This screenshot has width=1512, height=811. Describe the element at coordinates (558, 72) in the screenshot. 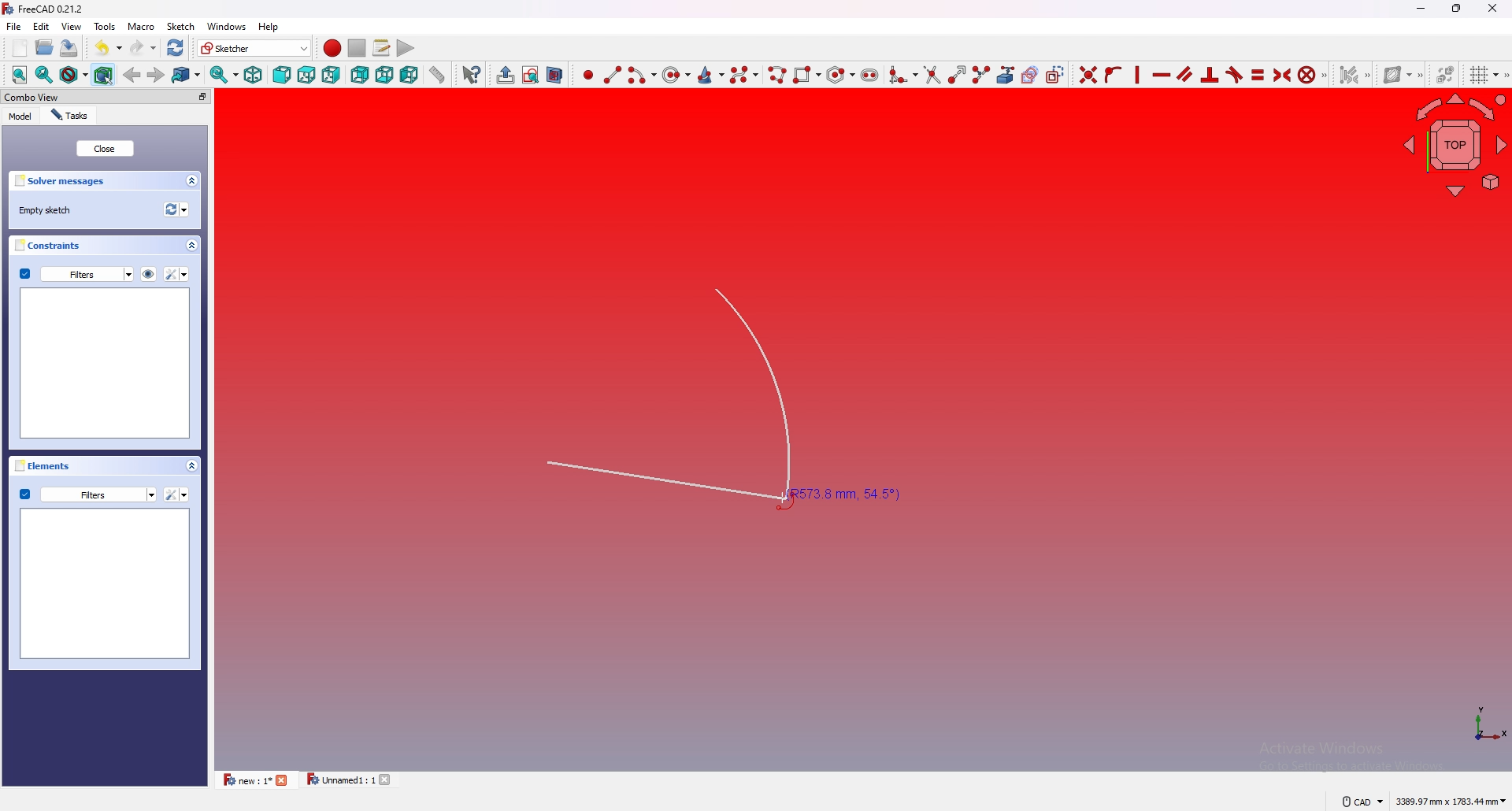

I see `view section` at that location.